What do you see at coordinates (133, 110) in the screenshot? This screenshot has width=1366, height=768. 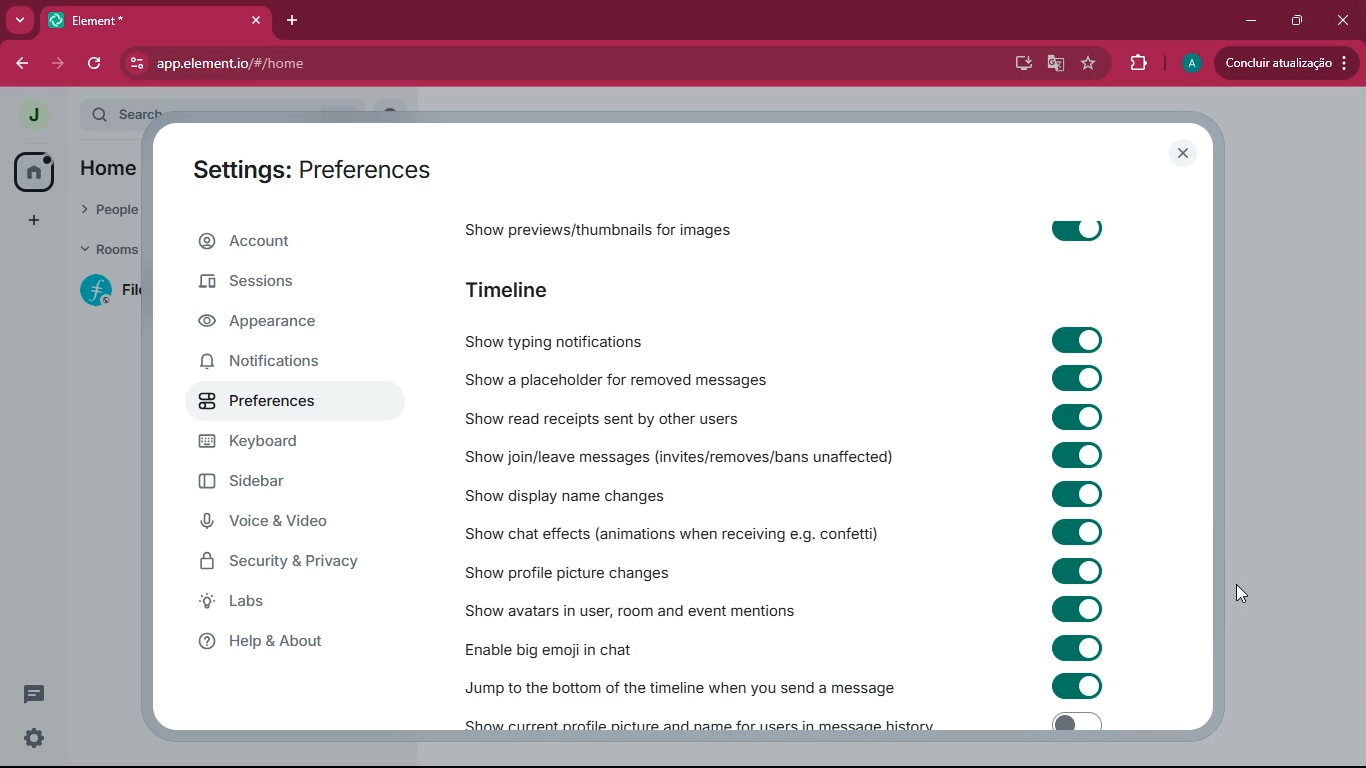 I see `search` at bounding box center [133, 110].